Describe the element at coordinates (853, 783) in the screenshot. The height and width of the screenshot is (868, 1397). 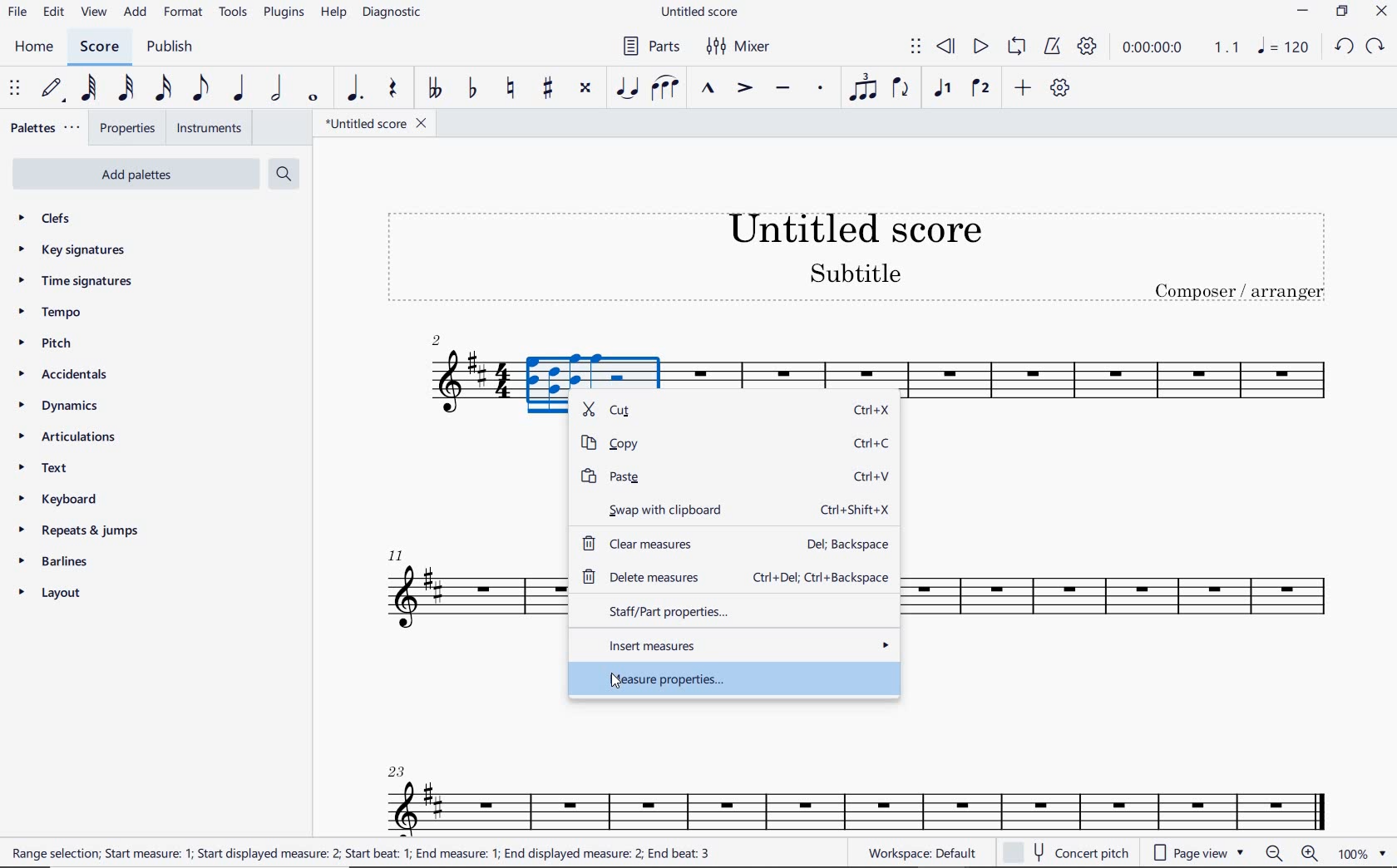
I see `INSTRUMENT: TENOR SAXOPHONE` at that location.